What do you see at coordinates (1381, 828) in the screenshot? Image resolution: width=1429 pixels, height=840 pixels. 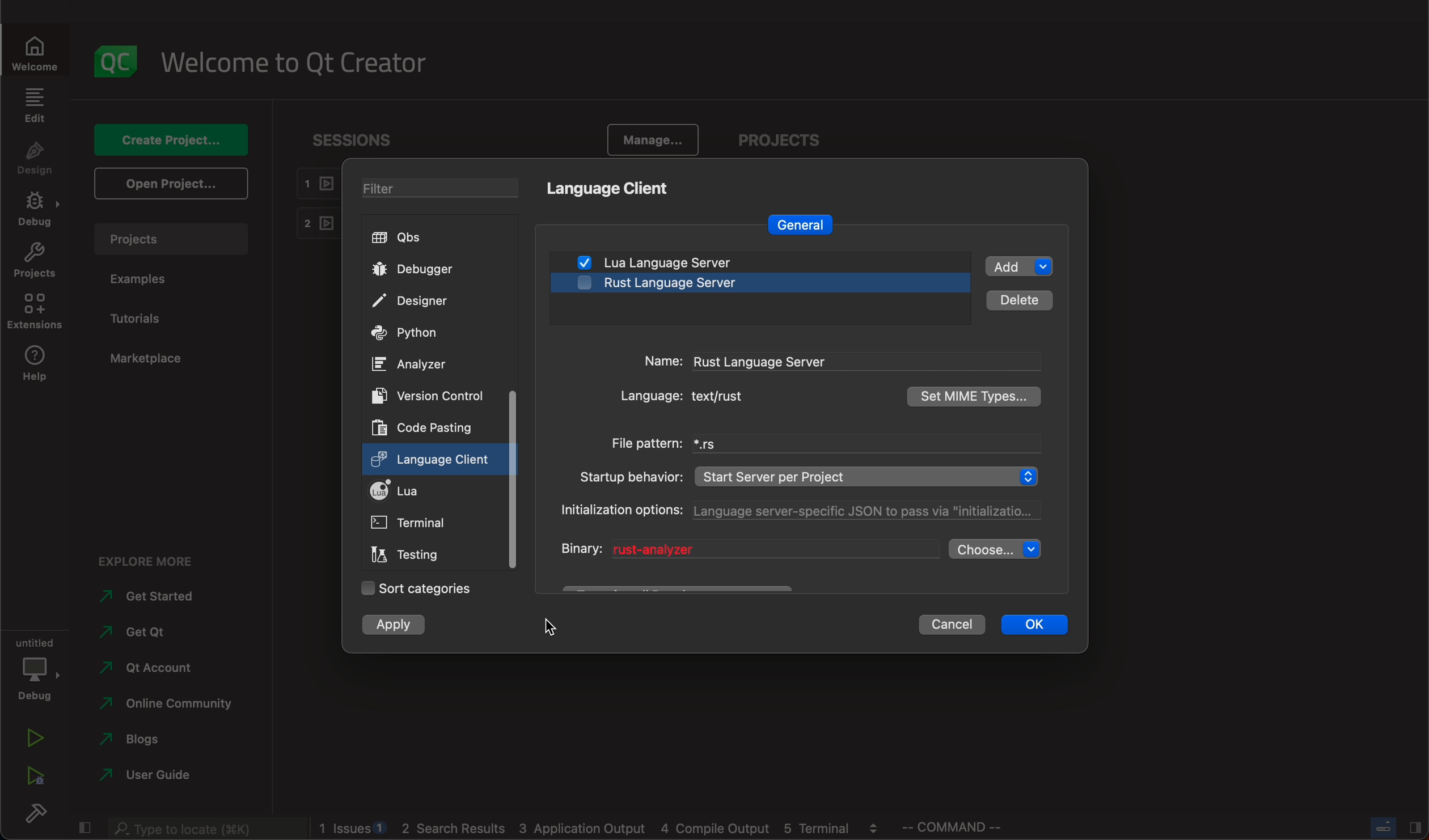 I see `close ` at bounding box center [1381, 828].